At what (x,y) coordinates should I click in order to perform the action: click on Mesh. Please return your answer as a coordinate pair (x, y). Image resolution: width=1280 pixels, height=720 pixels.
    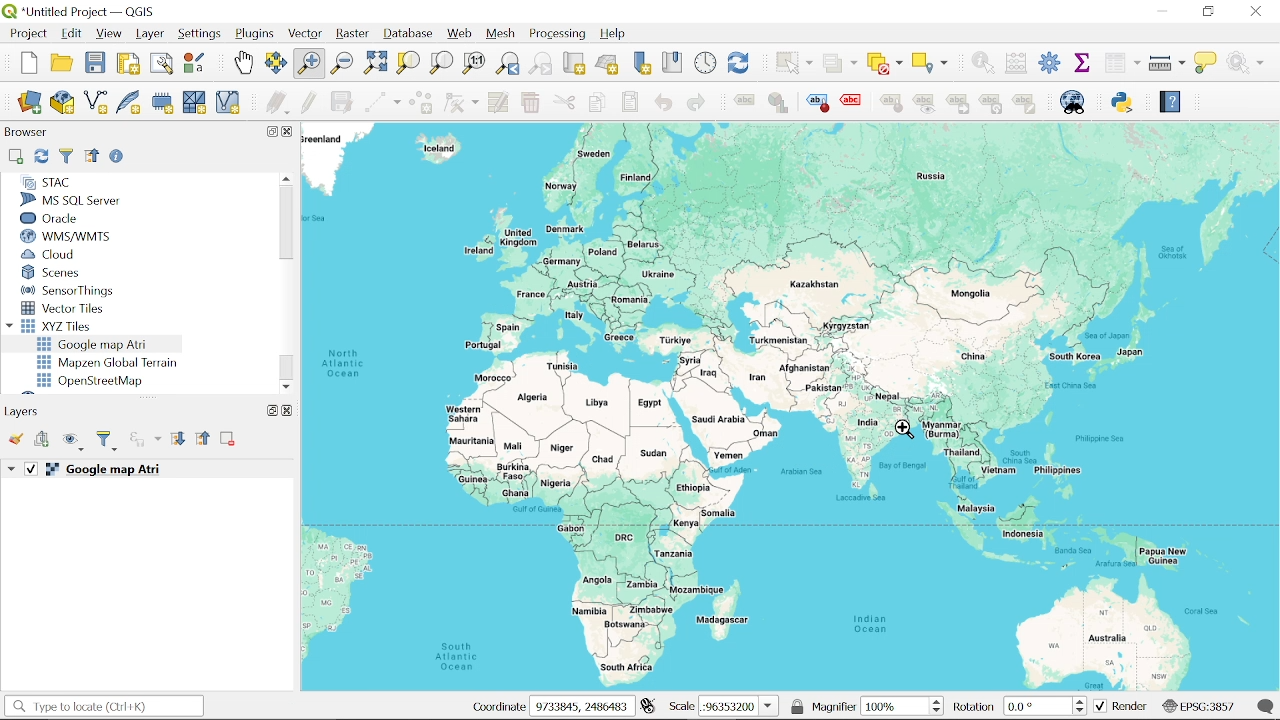
    Looking at the image, I should click on (502, 34).